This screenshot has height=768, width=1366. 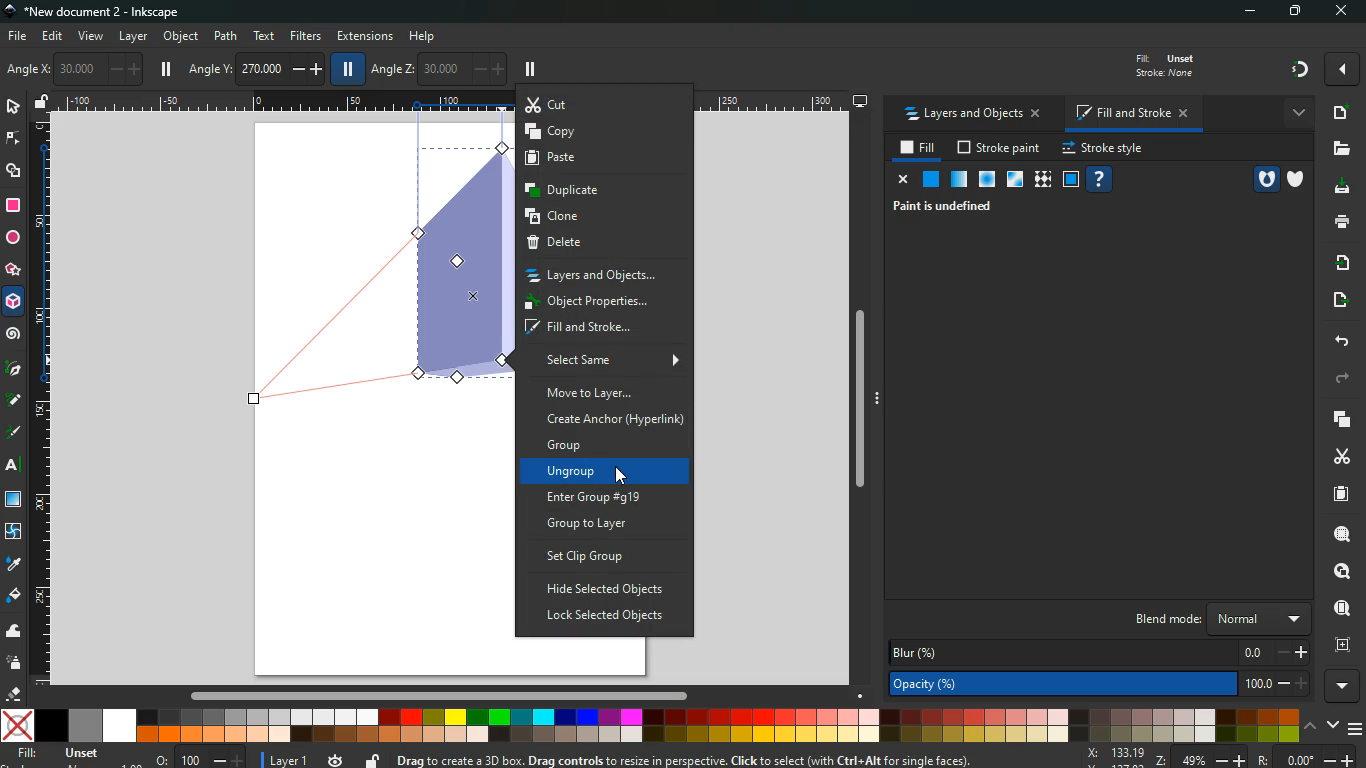 I want to click on ungroup, so click(x=612, y=473).